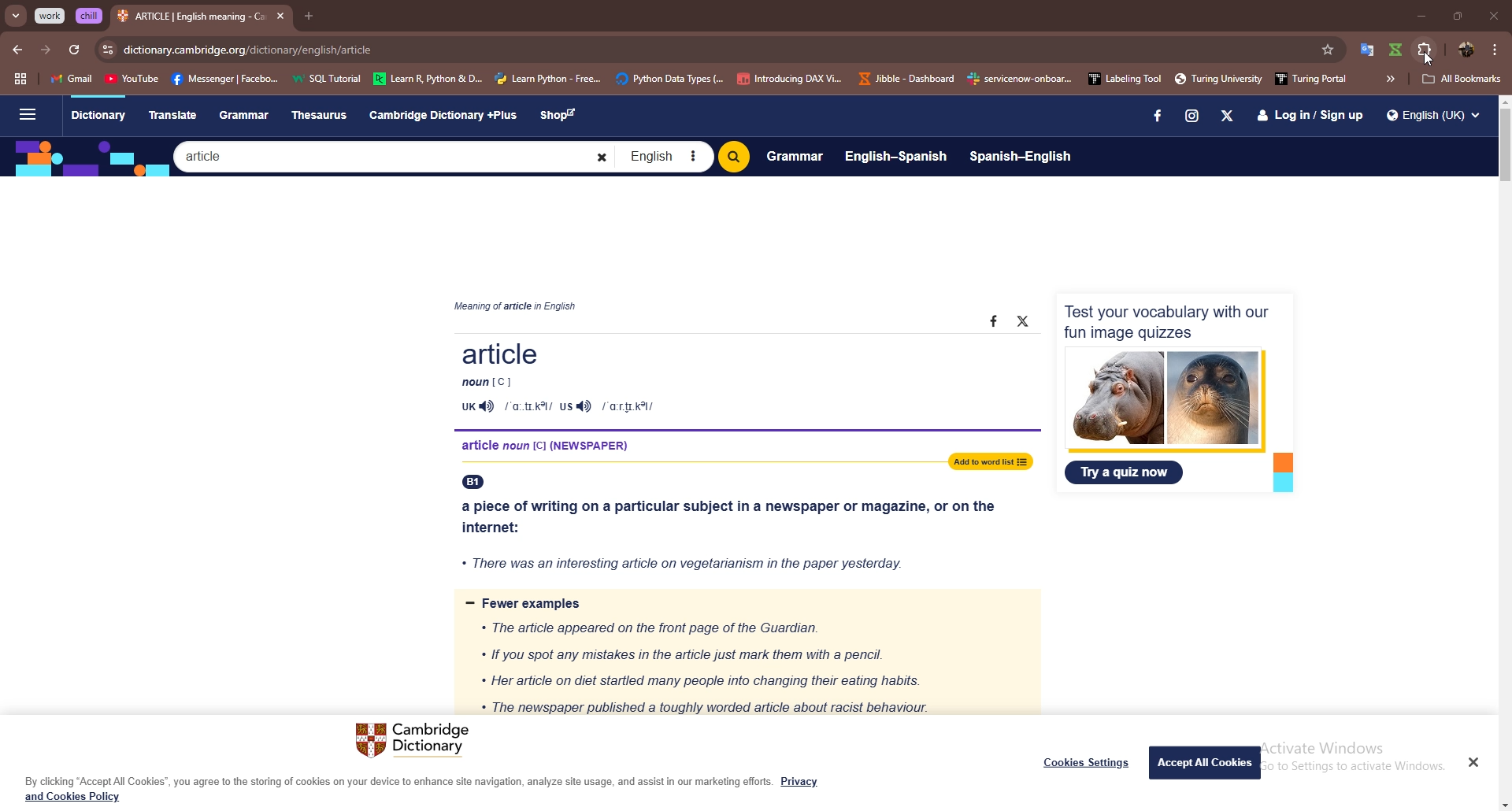 The image size is (1512, 811). I want to click on refresh, so click(73, 50).